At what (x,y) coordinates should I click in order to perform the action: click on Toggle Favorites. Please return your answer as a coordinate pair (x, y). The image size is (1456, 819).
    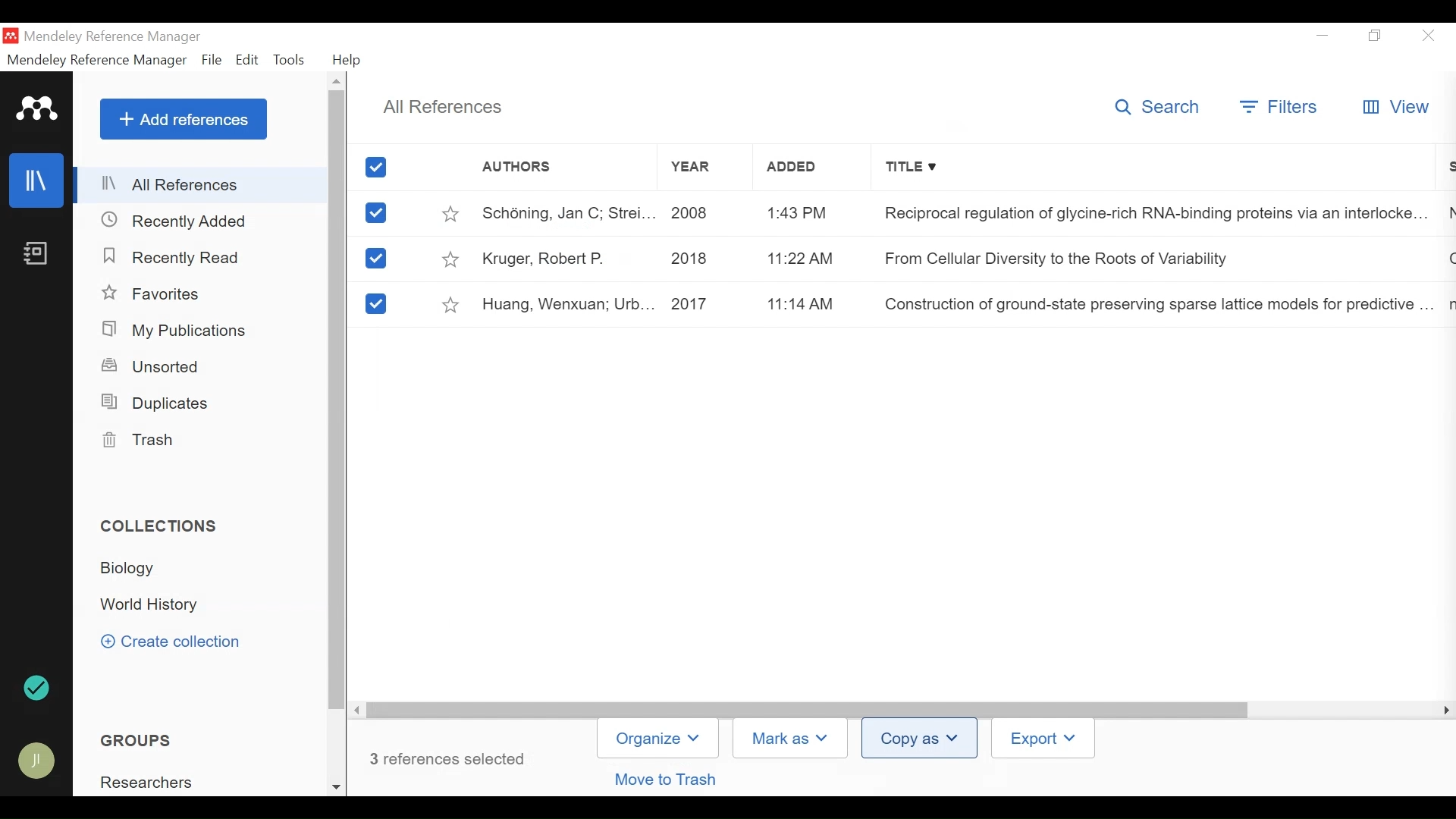
    Looking at the image, I should click on (451, 212).